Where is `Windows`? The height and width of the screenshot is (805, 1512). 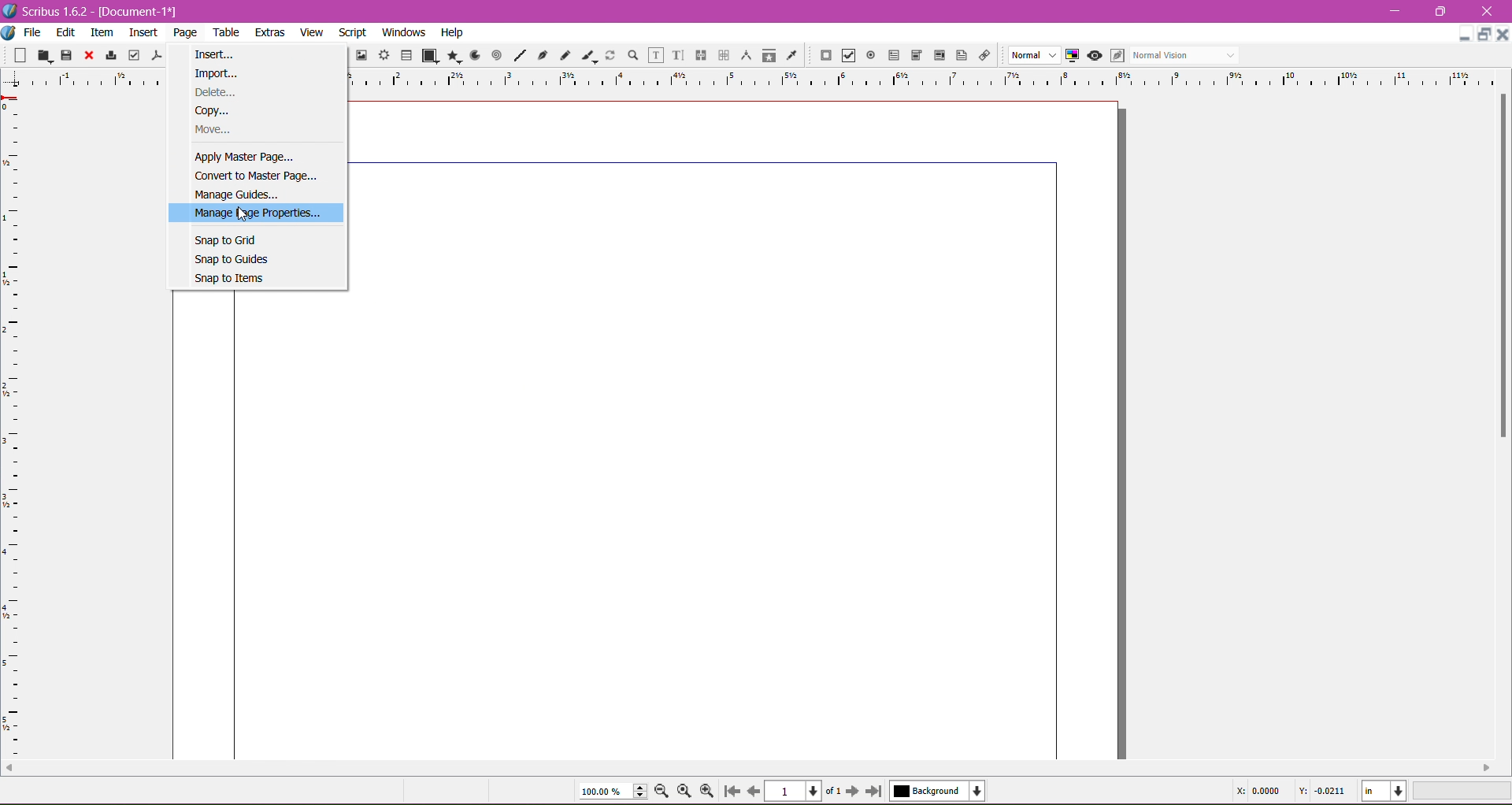 Windows is located at coordinates (403, 32).